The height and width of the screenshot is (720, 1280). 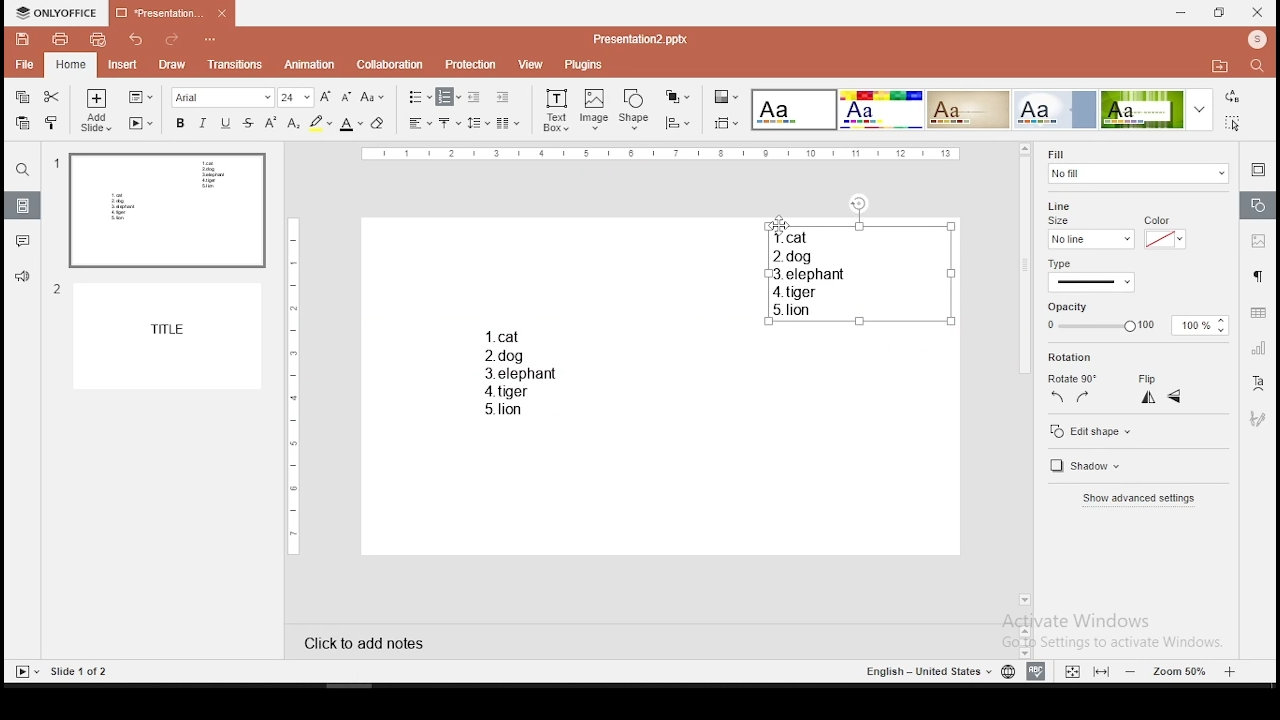 I want to click on underline, so click(x=225, y=123).